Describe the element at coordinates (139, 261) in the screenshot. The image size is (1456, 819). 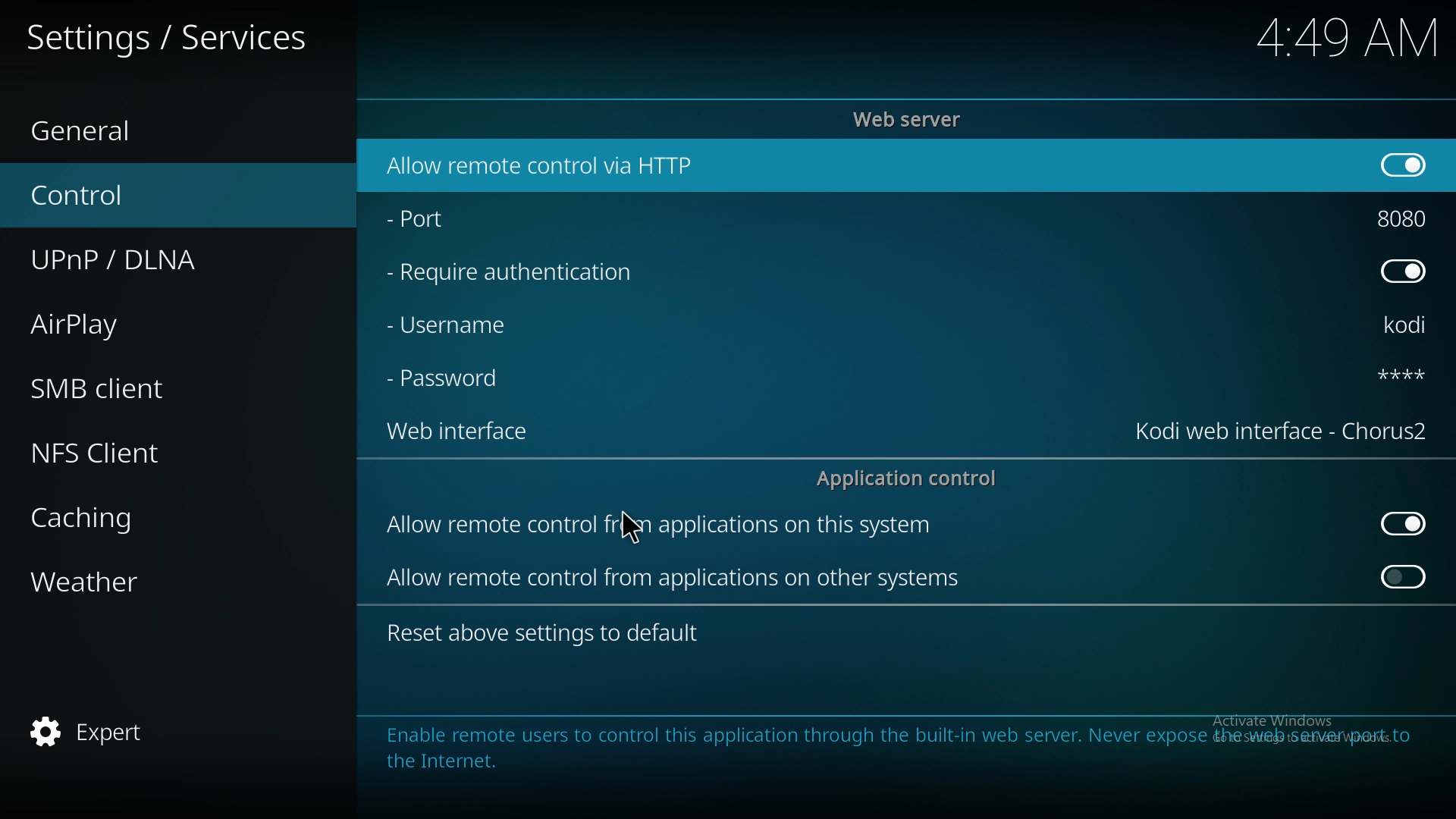
I see `upnp/dlna` at that location.